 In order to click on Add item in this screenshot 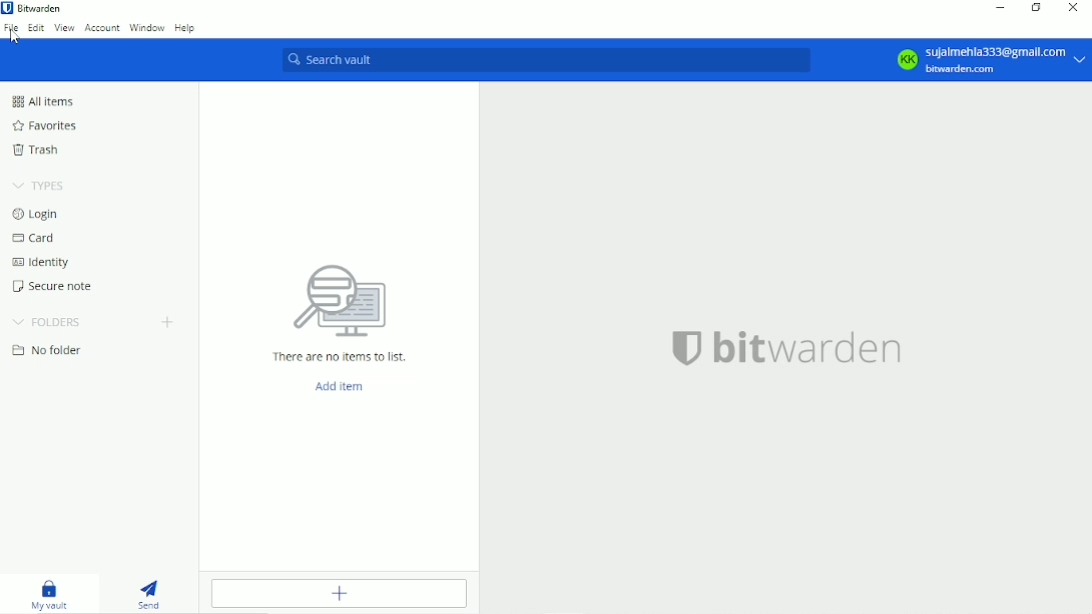, I will do `click(339, 594)`.